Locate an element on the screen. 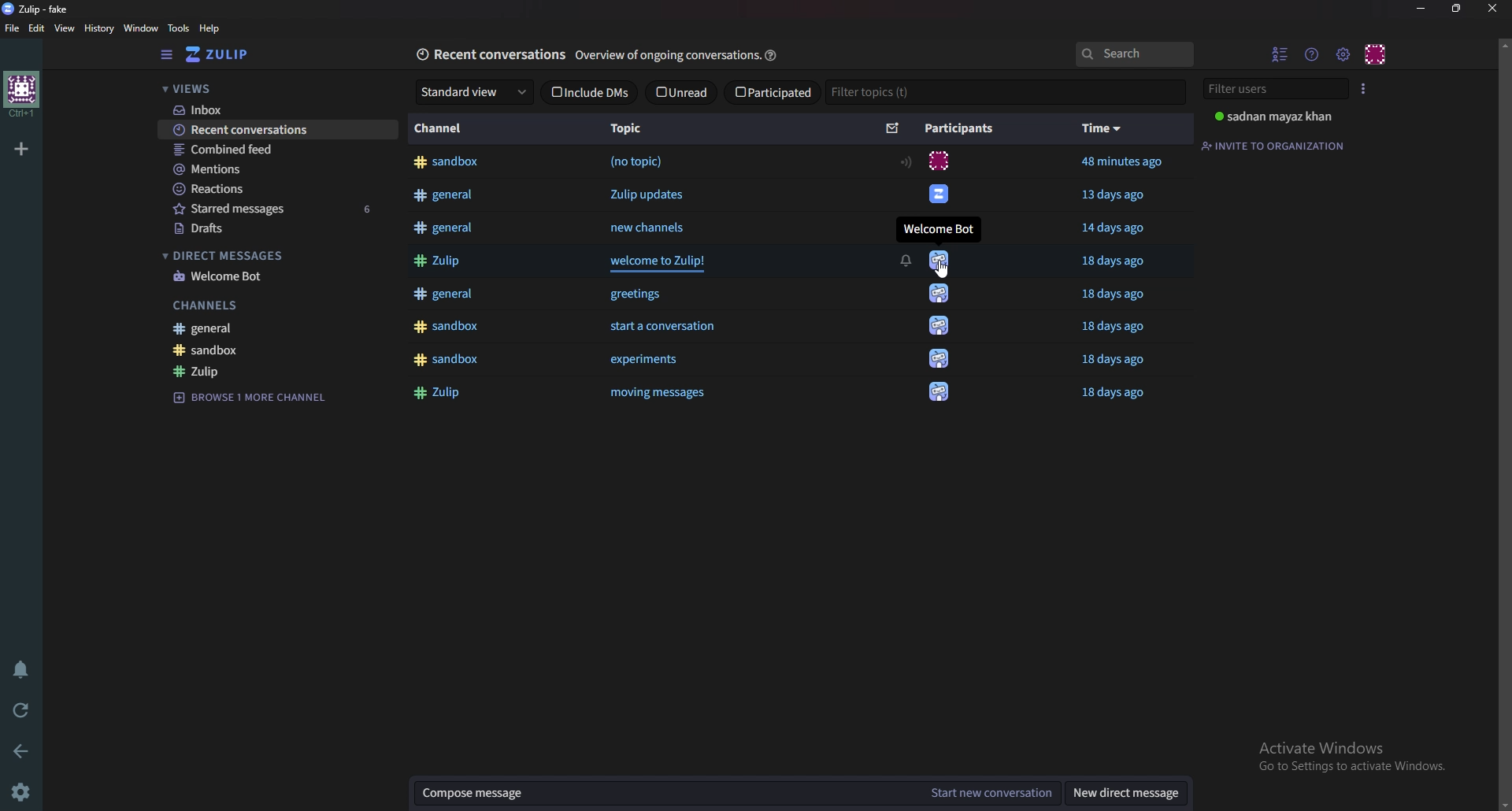 The image size is (1512, 811). Hide user list is located at coordinates (1280, 54).